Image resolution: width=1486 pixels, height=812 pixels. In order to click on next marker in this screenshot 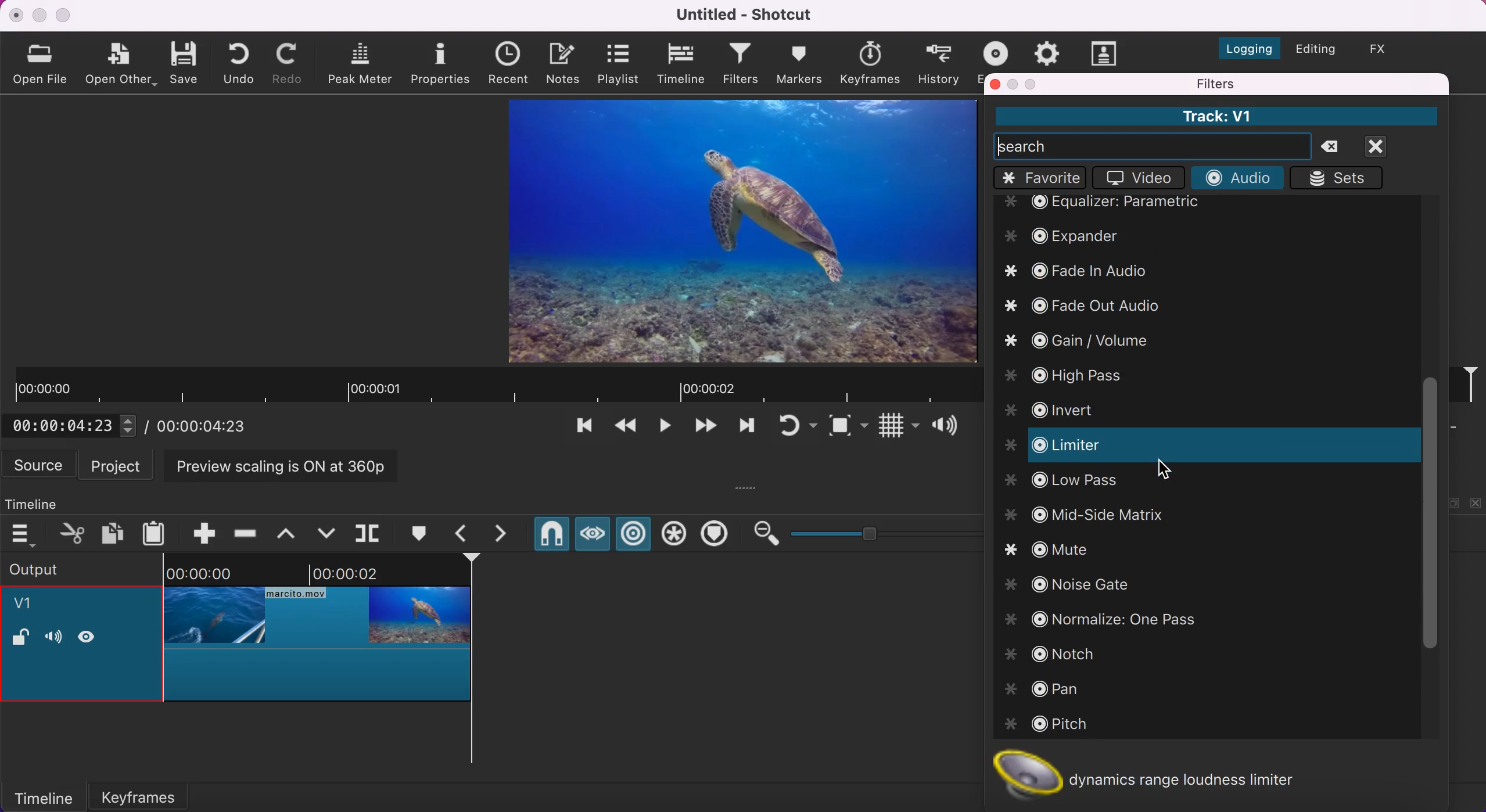, I will do `click(508, 534)`.